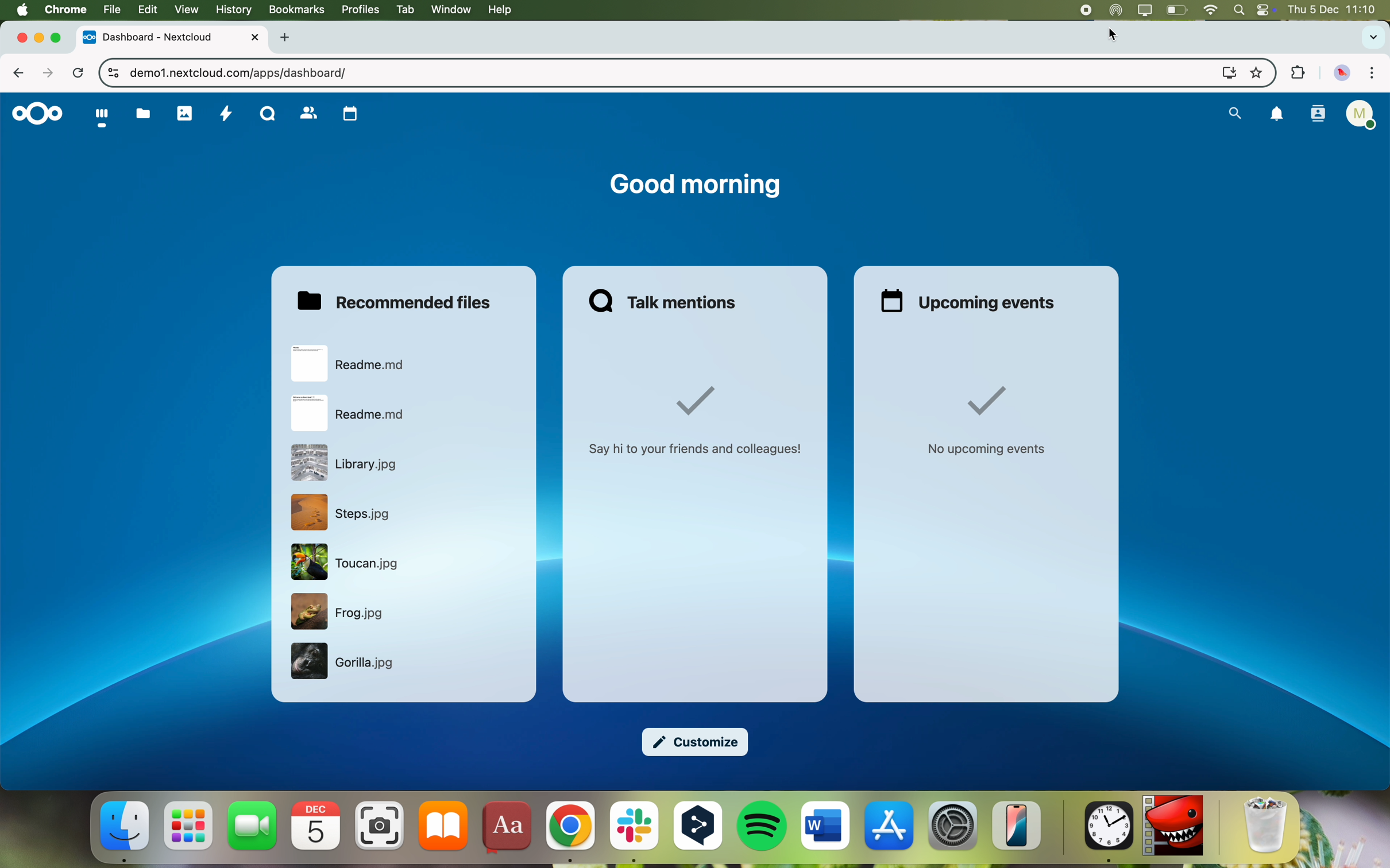 The width and height of the screenshot is (1390, 868). I want to click on new tab, so click(287, 38).